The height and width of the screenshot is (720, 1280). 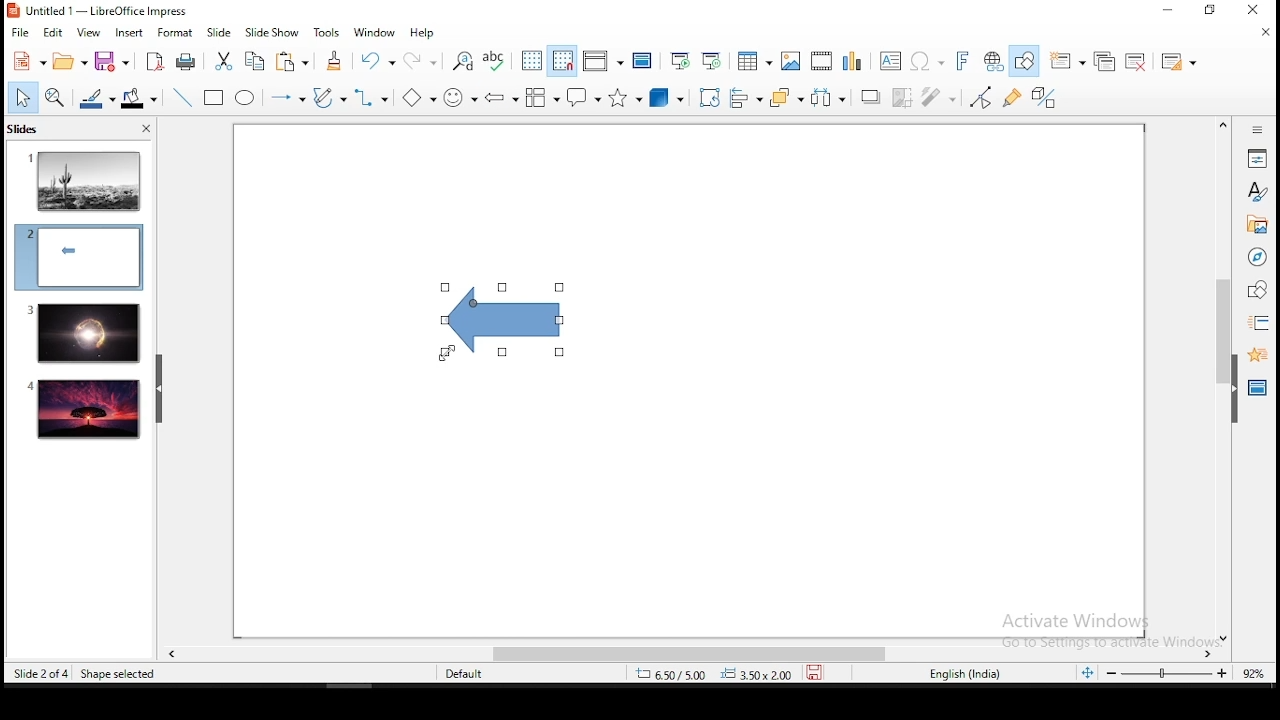 I want to click on callout shapes, so click(x=586, y=98).